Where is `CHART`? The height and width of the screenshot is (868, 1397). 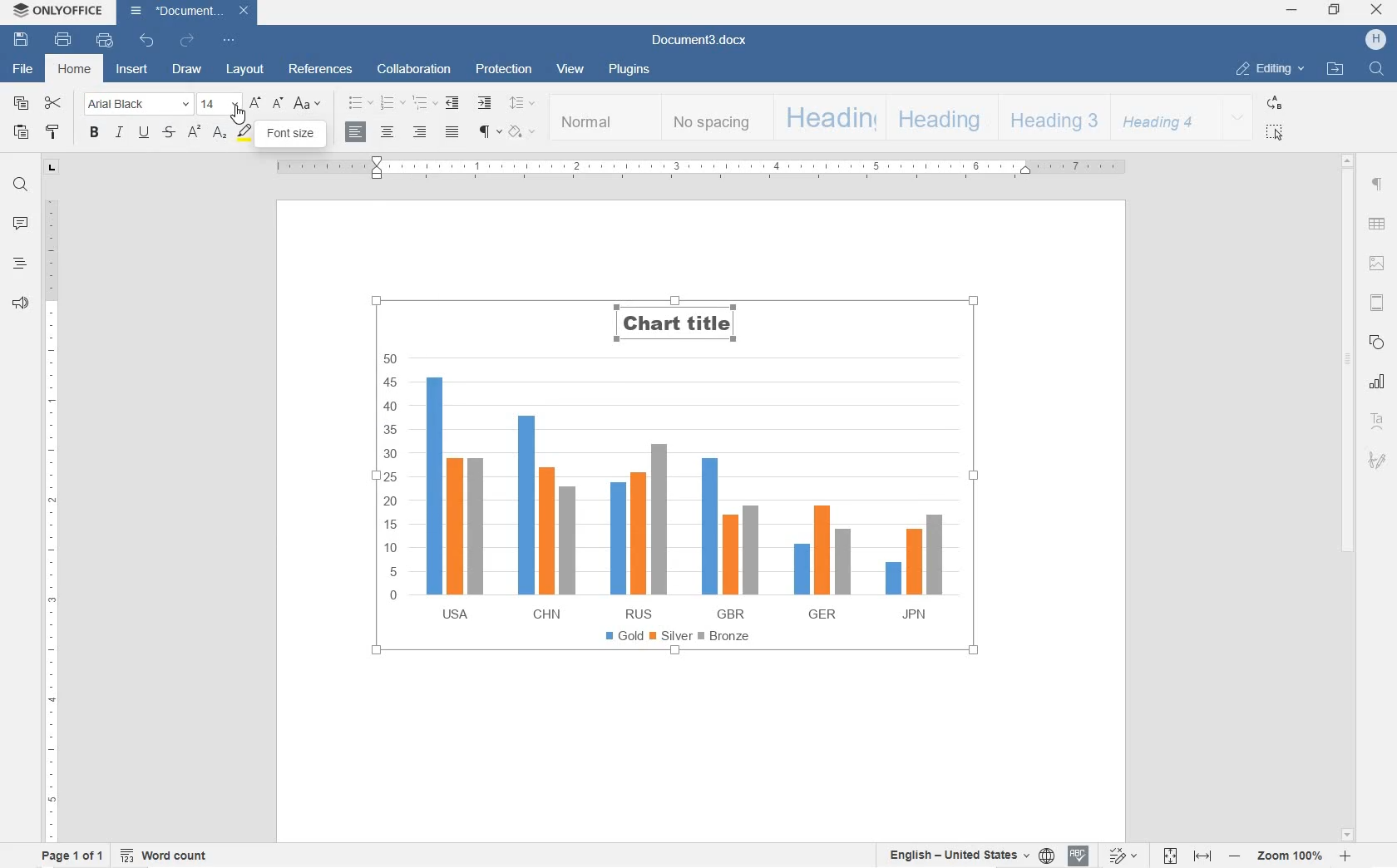 CHART is located at coordinates (680, 533).